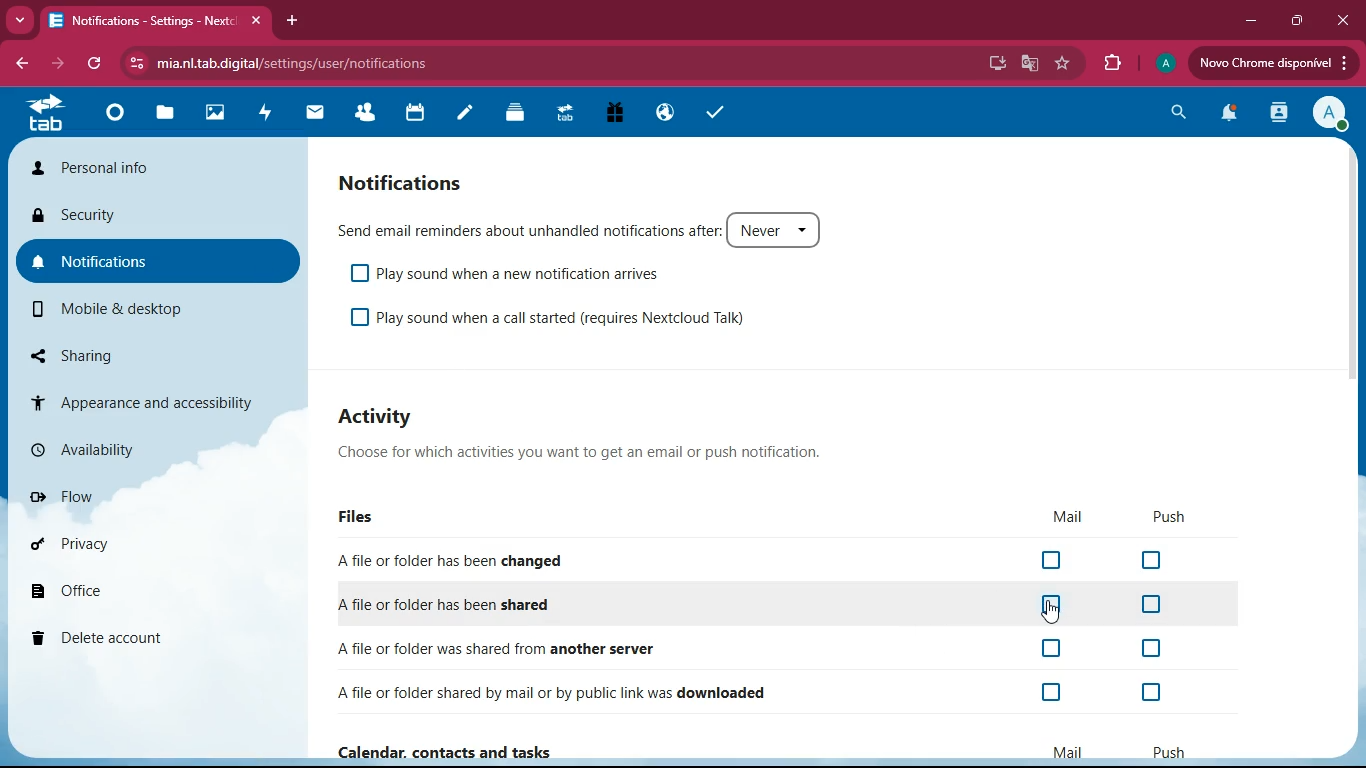 This screenshot has width=1366, height=768. I want to click on public, so click(660, 114).